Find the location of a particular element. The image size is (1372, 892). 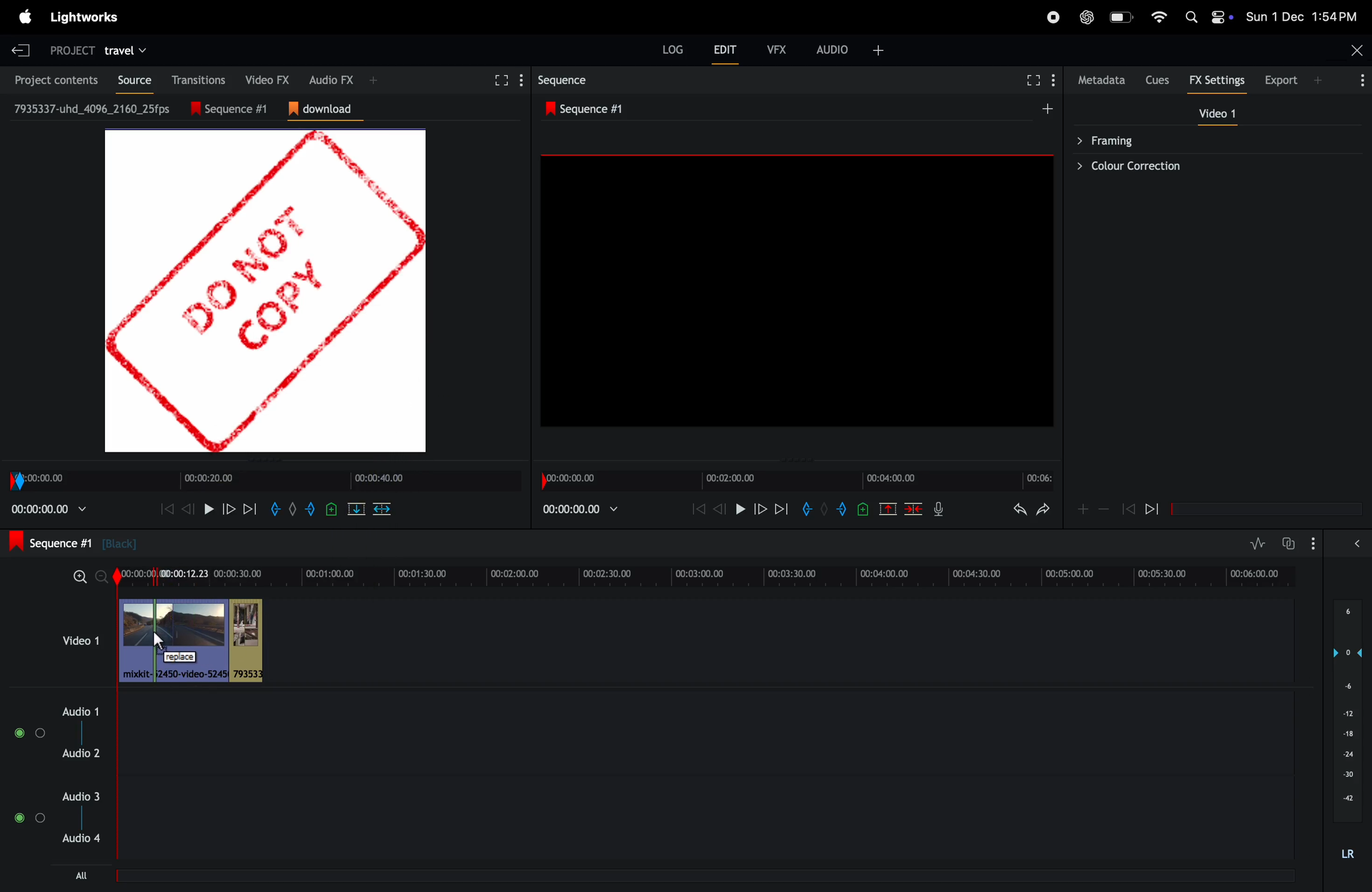

audio 4 is located at coordinates (79, 838).